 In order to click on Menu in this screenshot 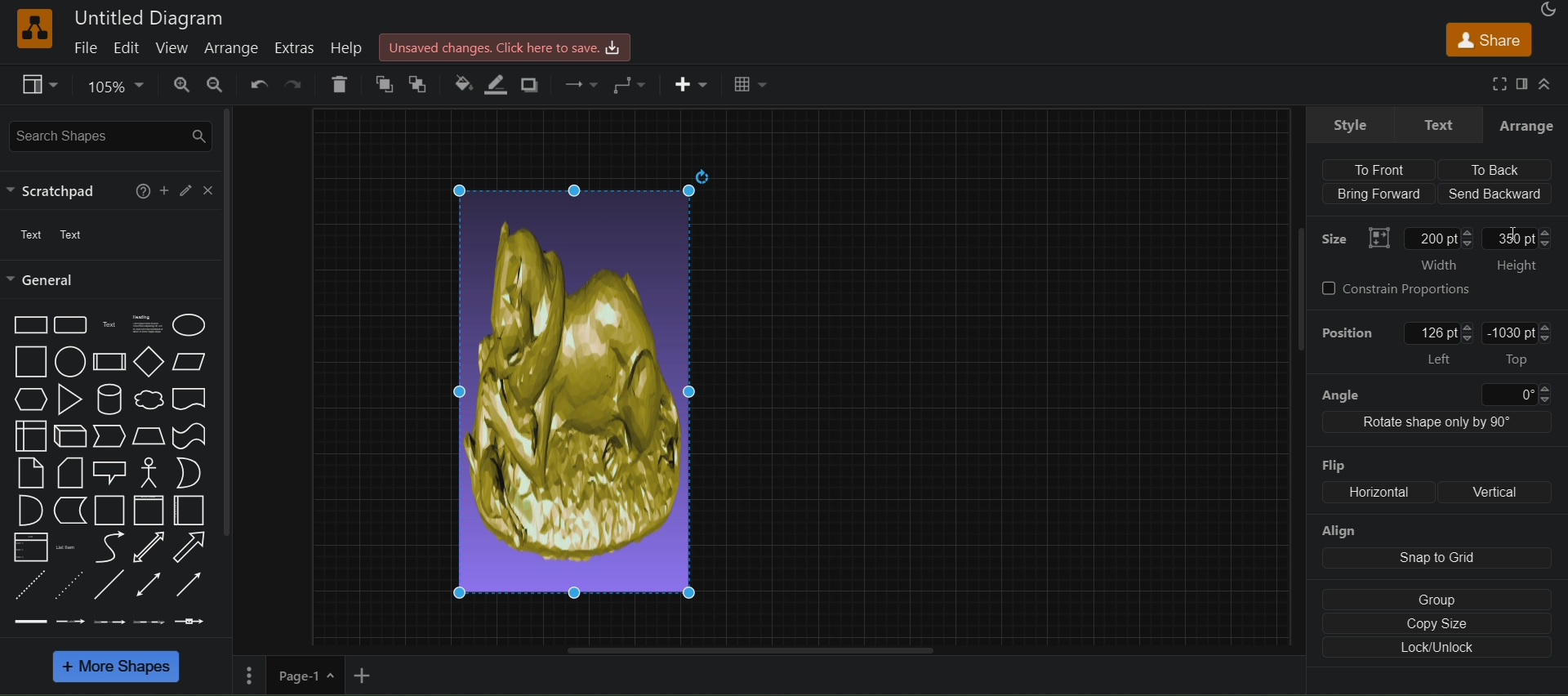, I will do `click(247, 678)`.